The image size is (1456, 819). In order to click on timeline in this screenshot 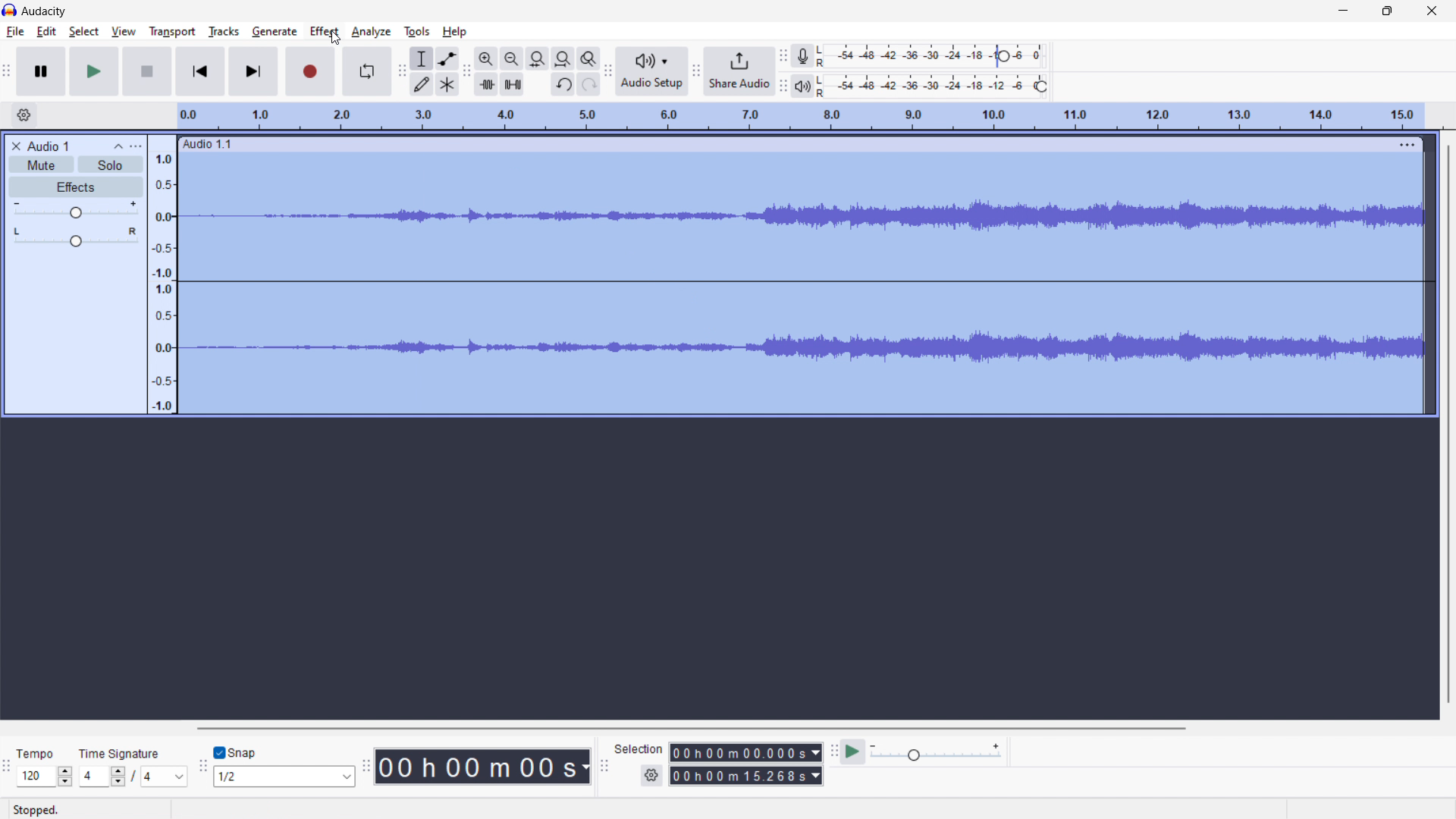, I will do `click(801, 117)`.